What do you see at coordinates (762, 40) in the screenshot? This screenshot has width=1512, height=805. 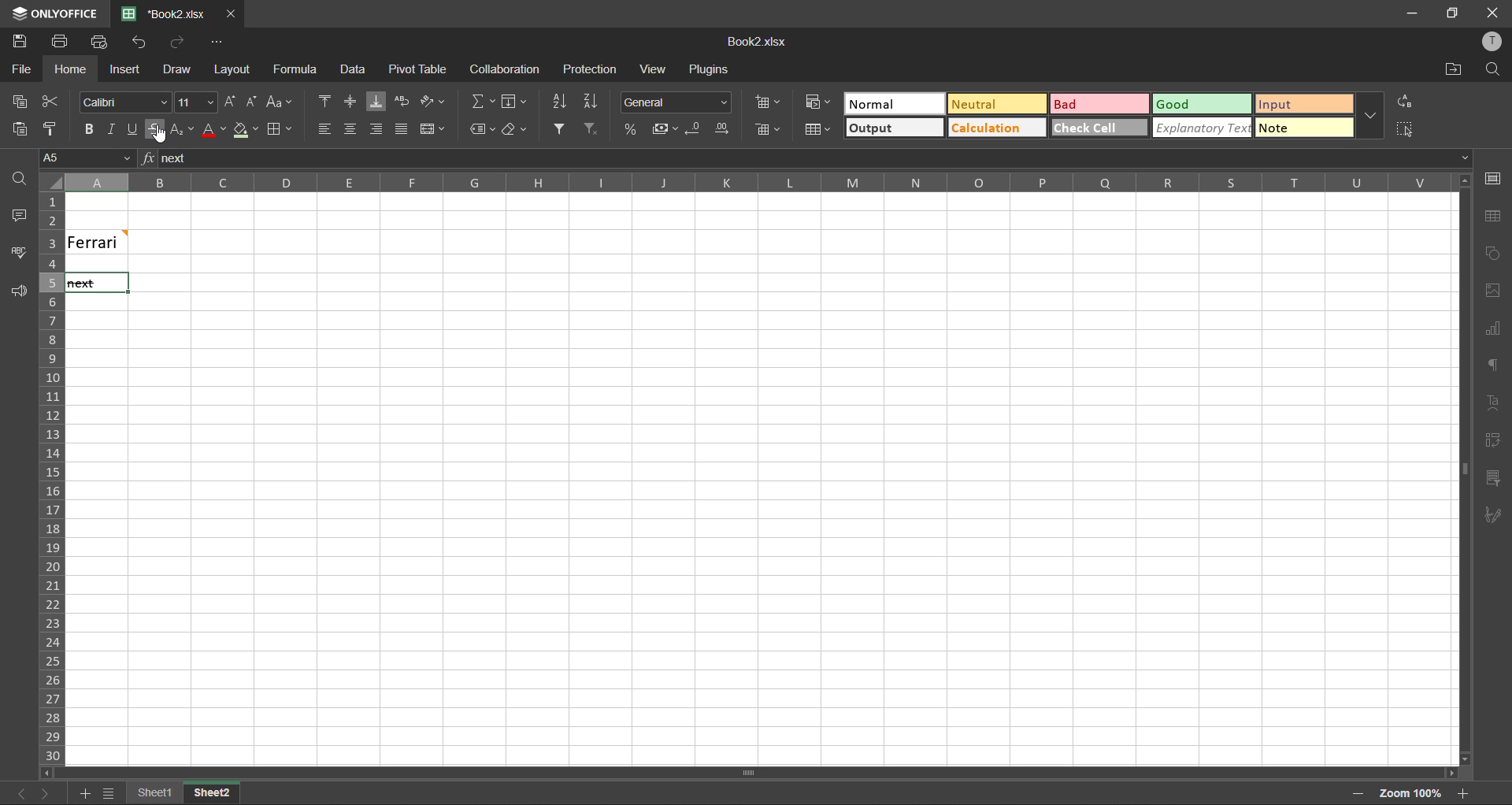 I see `Book2.xlsx` at bounding box center [762, 40].